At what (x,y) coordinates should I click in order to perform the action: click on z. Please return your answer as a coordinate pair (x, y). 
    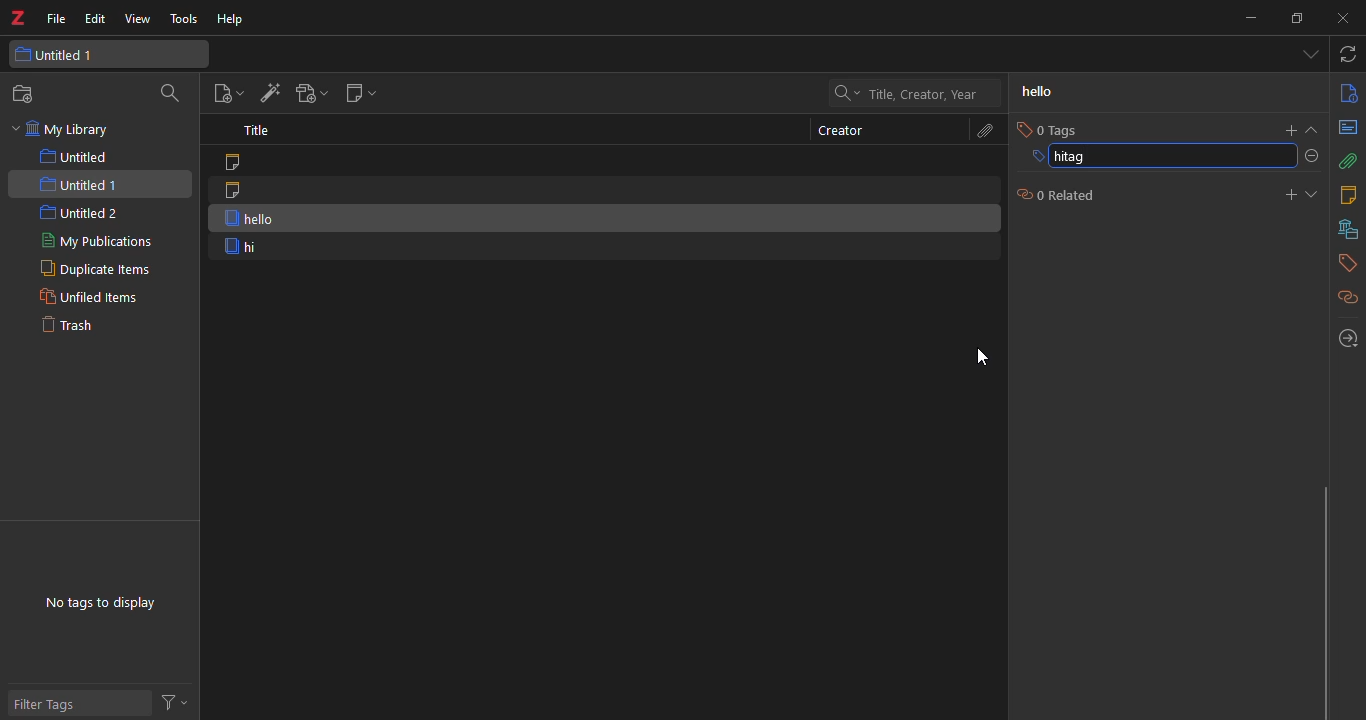
    Looking at the image, I should click on (22, 19).